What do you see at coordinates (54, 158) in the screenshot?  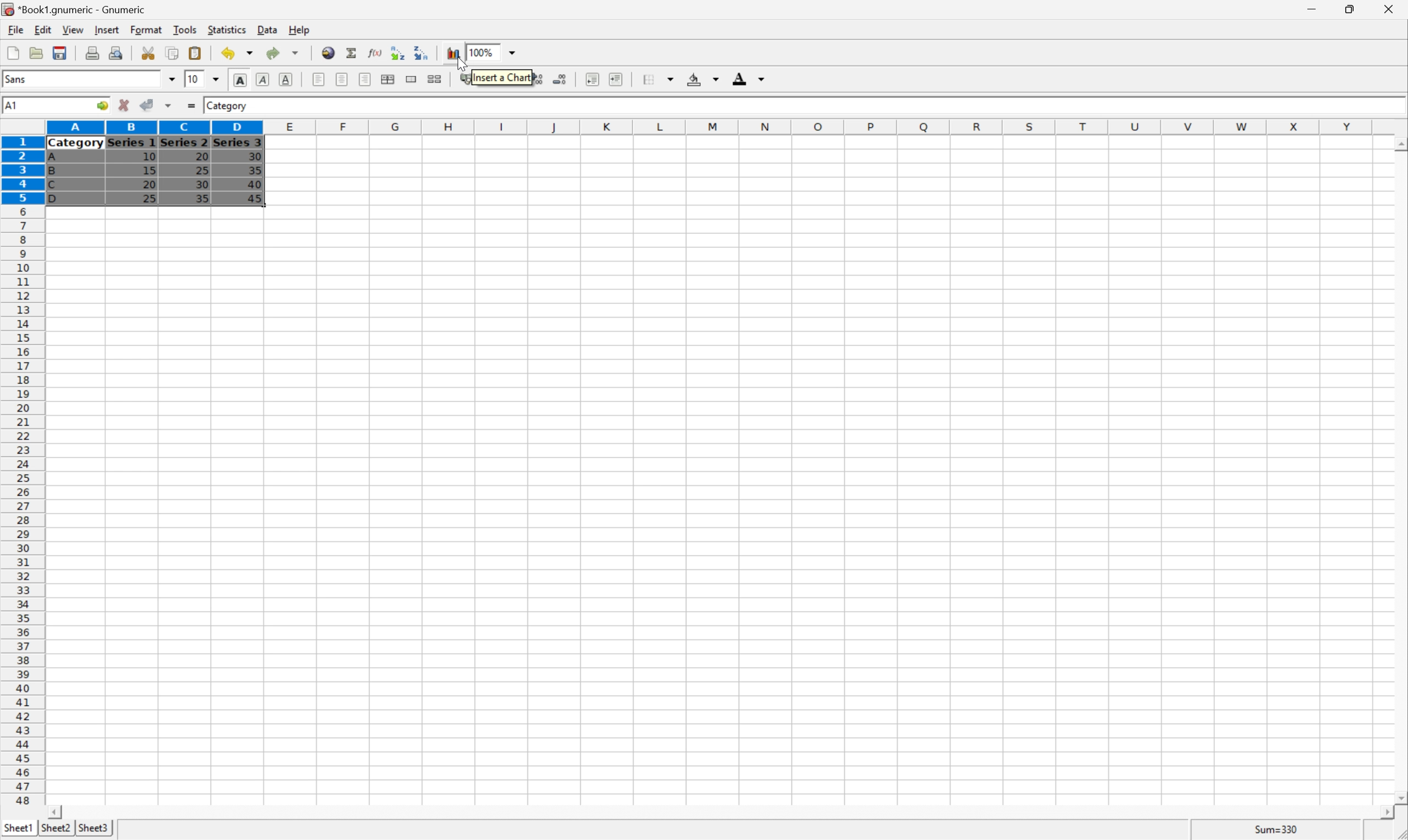 I see `A` at bounding box center [54, 158].